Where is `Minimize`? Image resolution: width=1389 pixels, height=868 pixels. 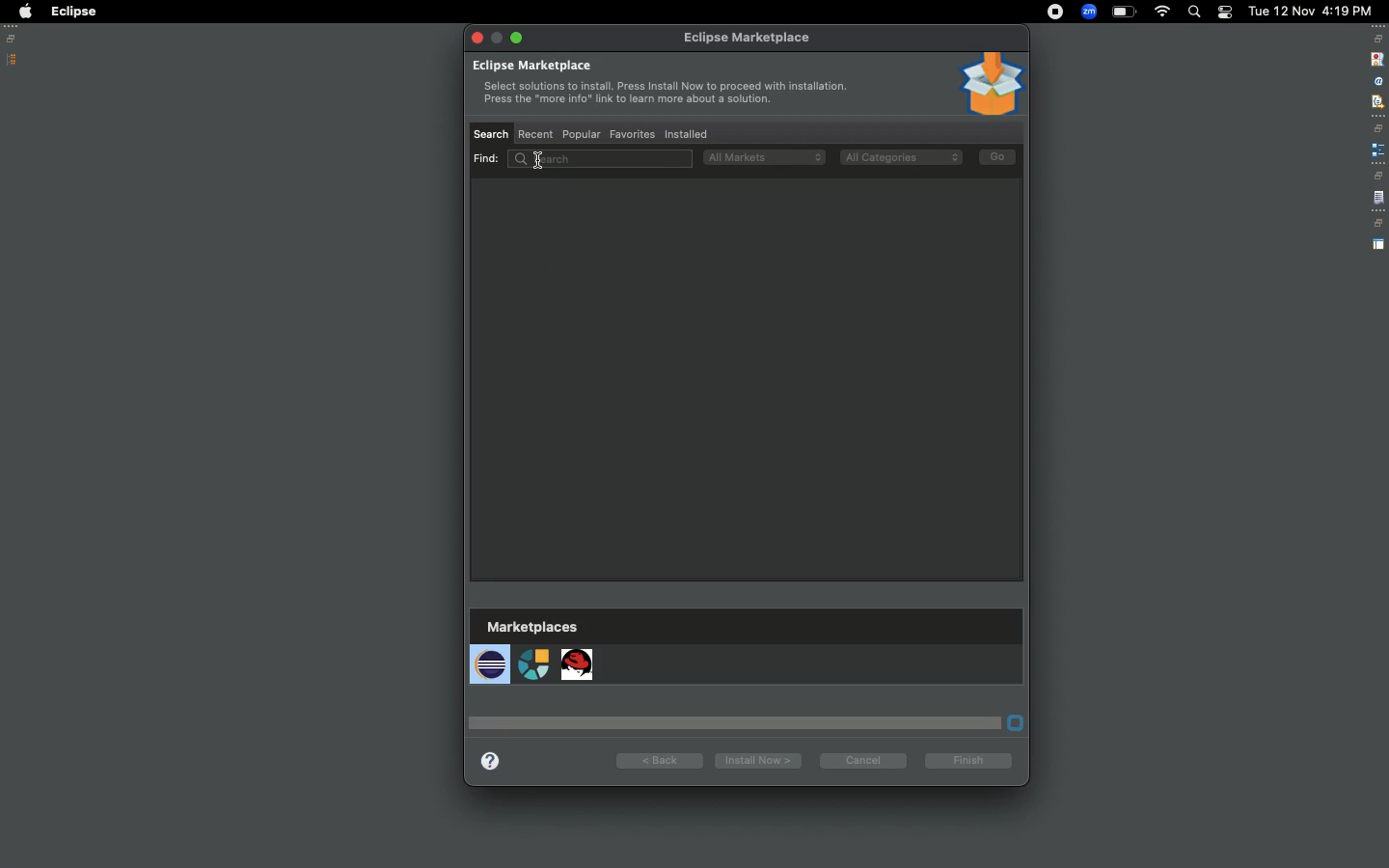
Minimize is located at coordinates (519, 37).